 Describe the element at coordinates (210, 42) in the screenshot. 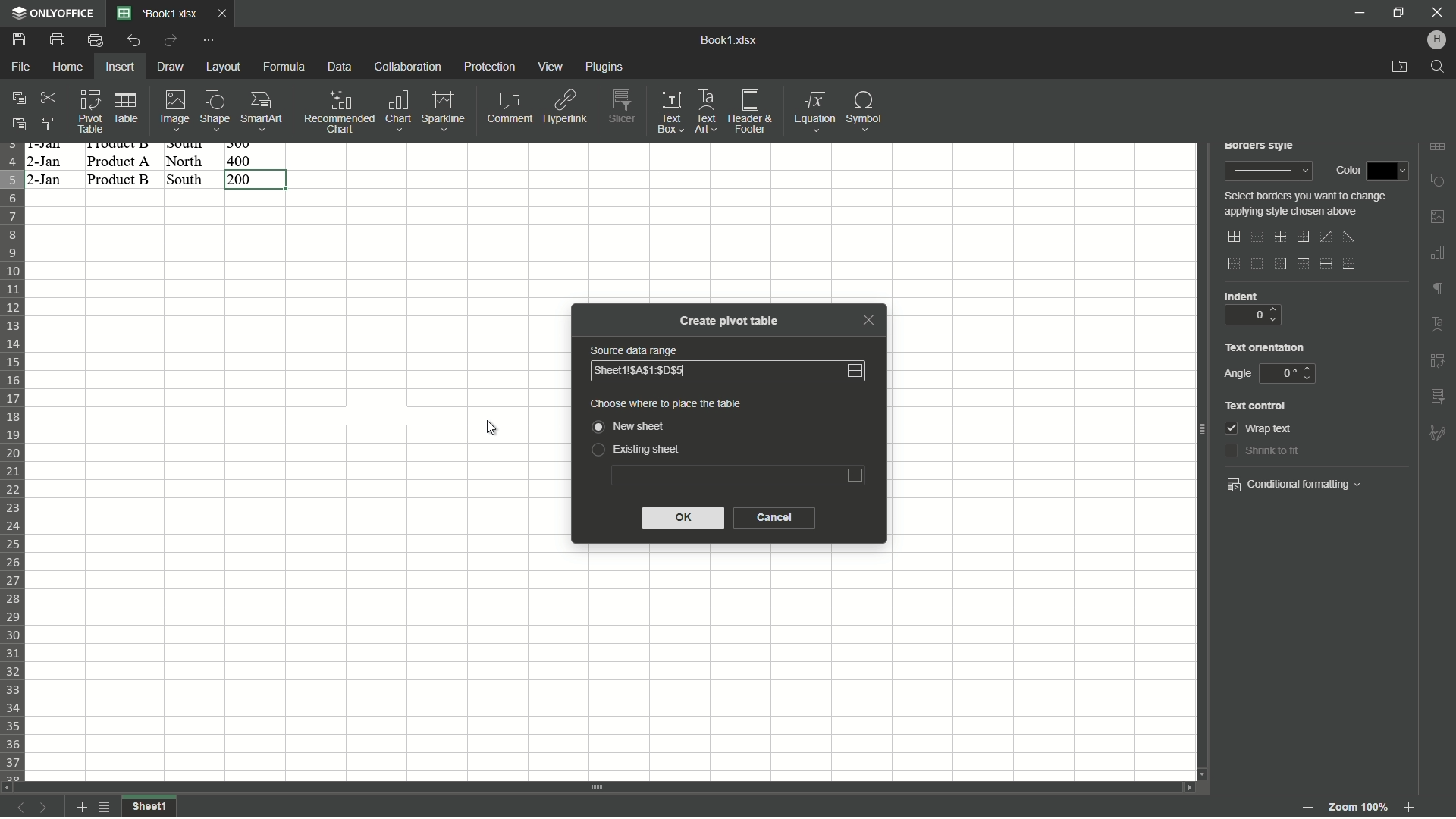

I see `customize quick access toolbar` at that location.